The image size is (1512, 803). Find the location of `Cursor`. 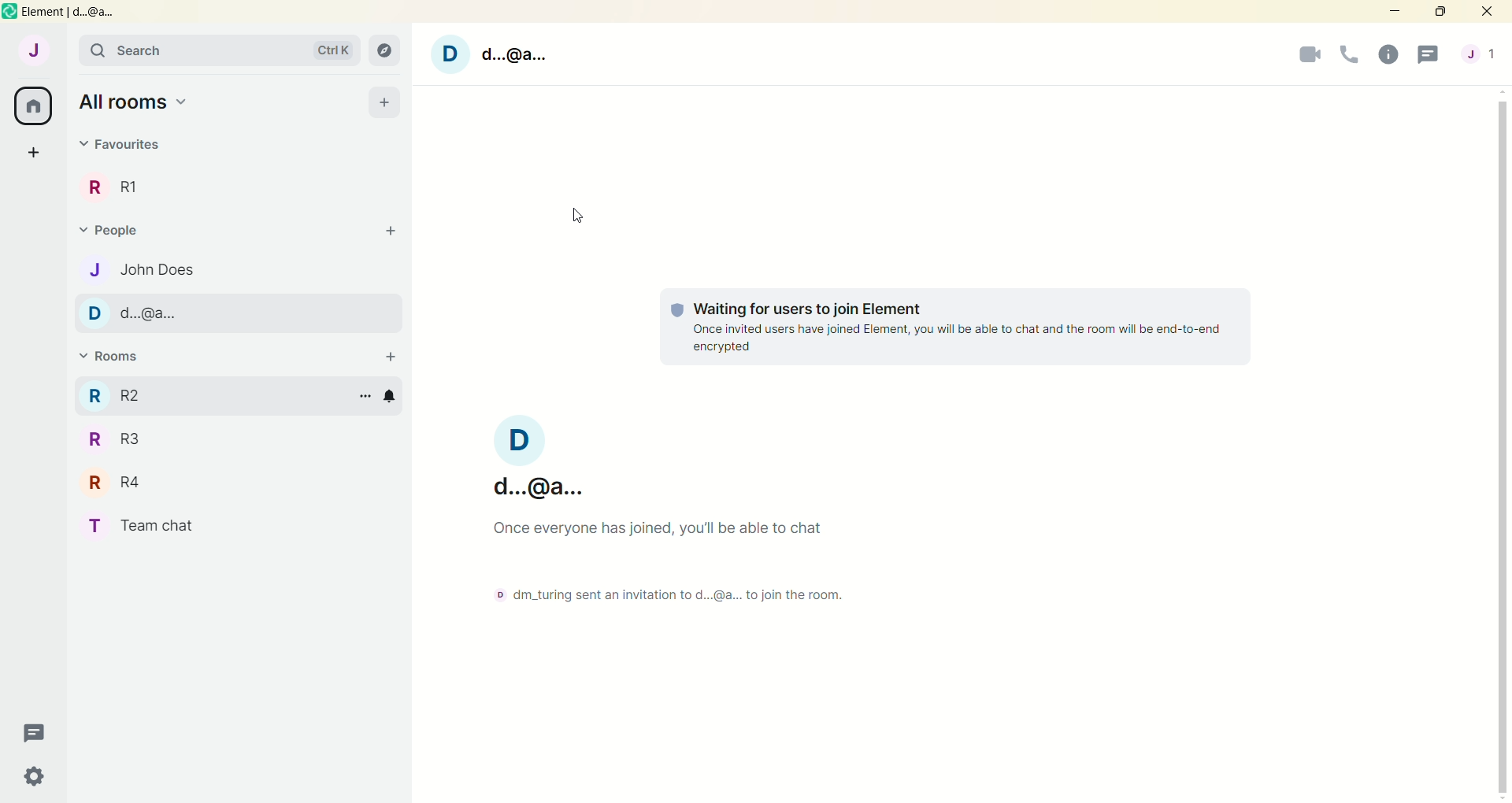

Cursor is located at coordinates (575, 222).